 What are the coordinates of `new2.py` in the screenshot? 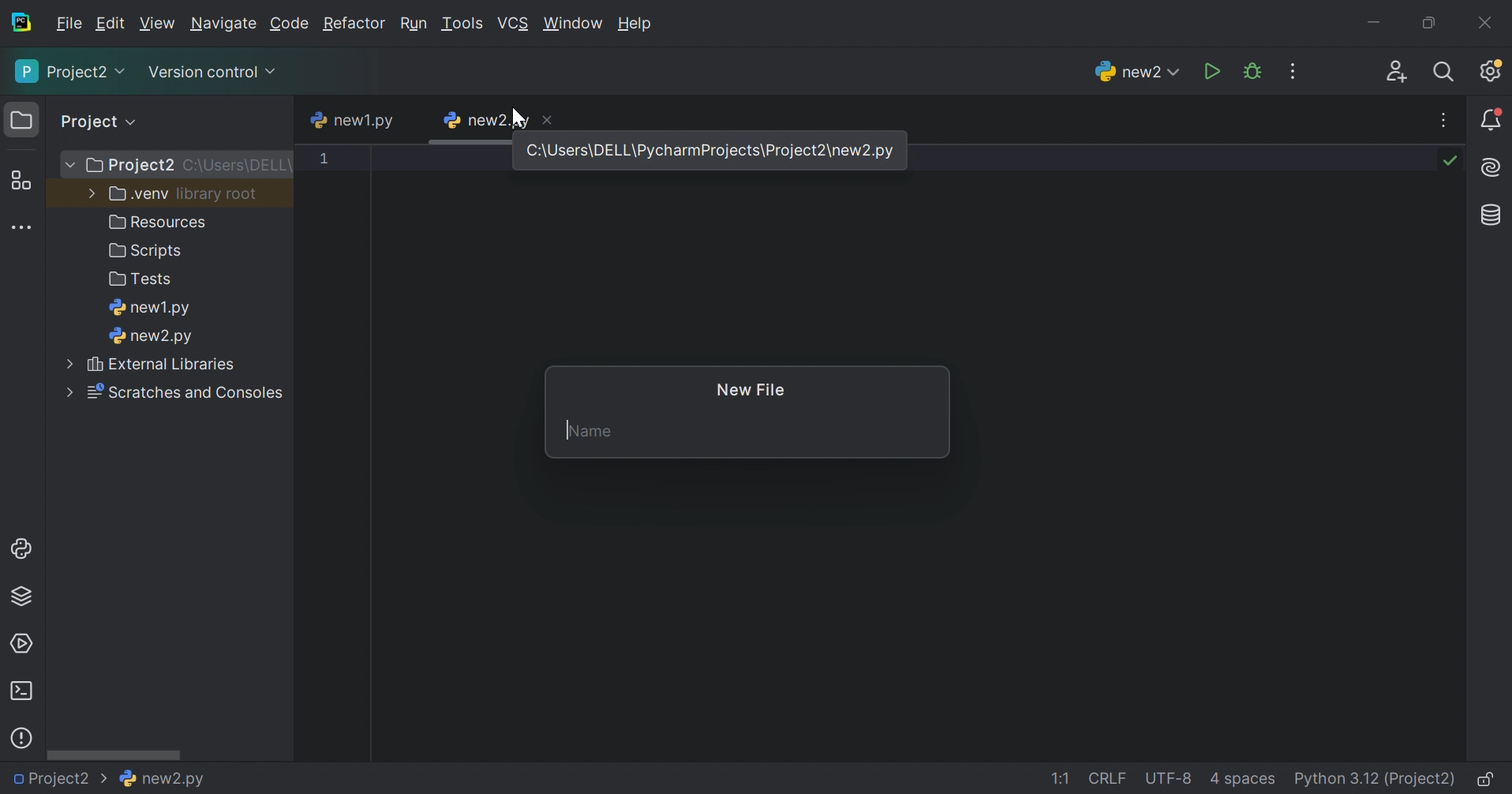 It's located at (168, 781).